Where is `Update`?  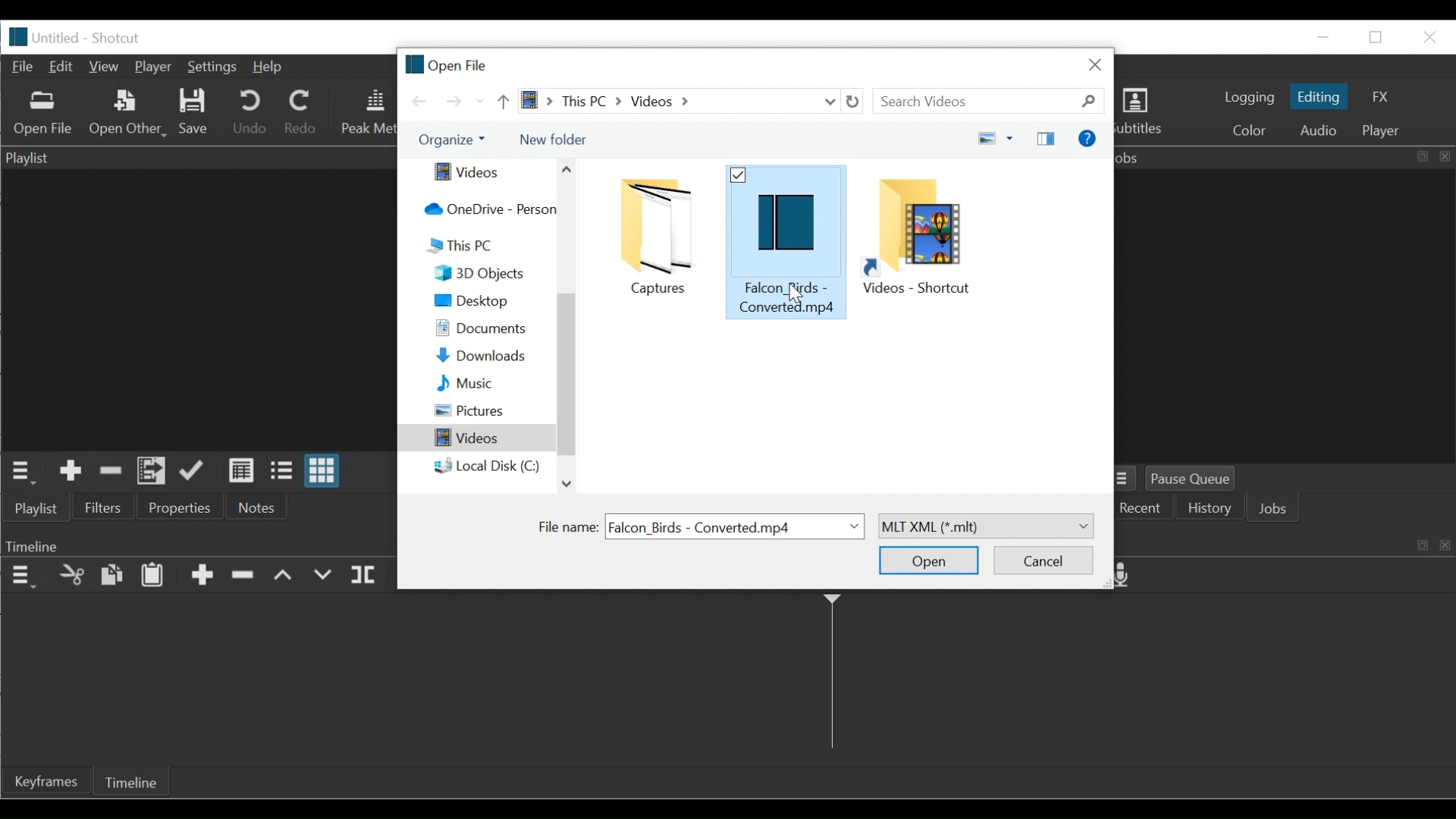
Update is located at coordinates (196, 472).